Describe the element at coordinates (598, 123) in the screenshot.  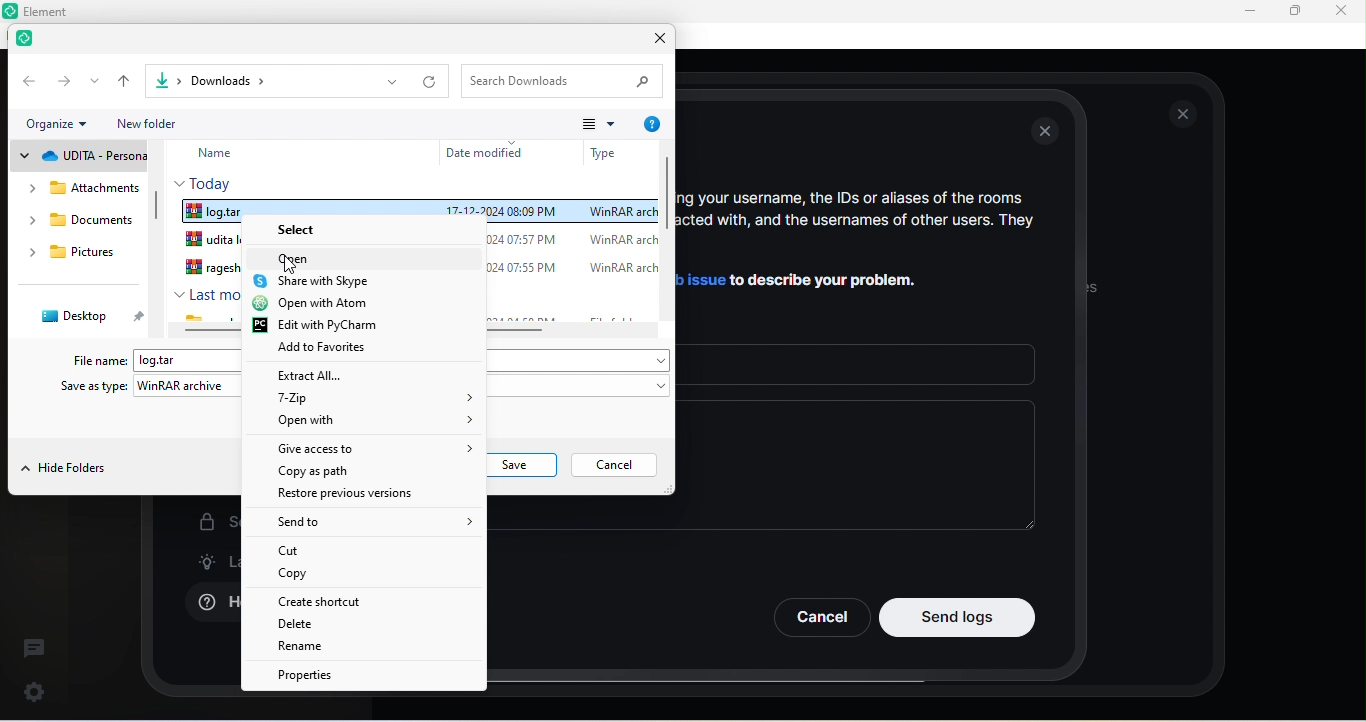
I see `change view` at that location.